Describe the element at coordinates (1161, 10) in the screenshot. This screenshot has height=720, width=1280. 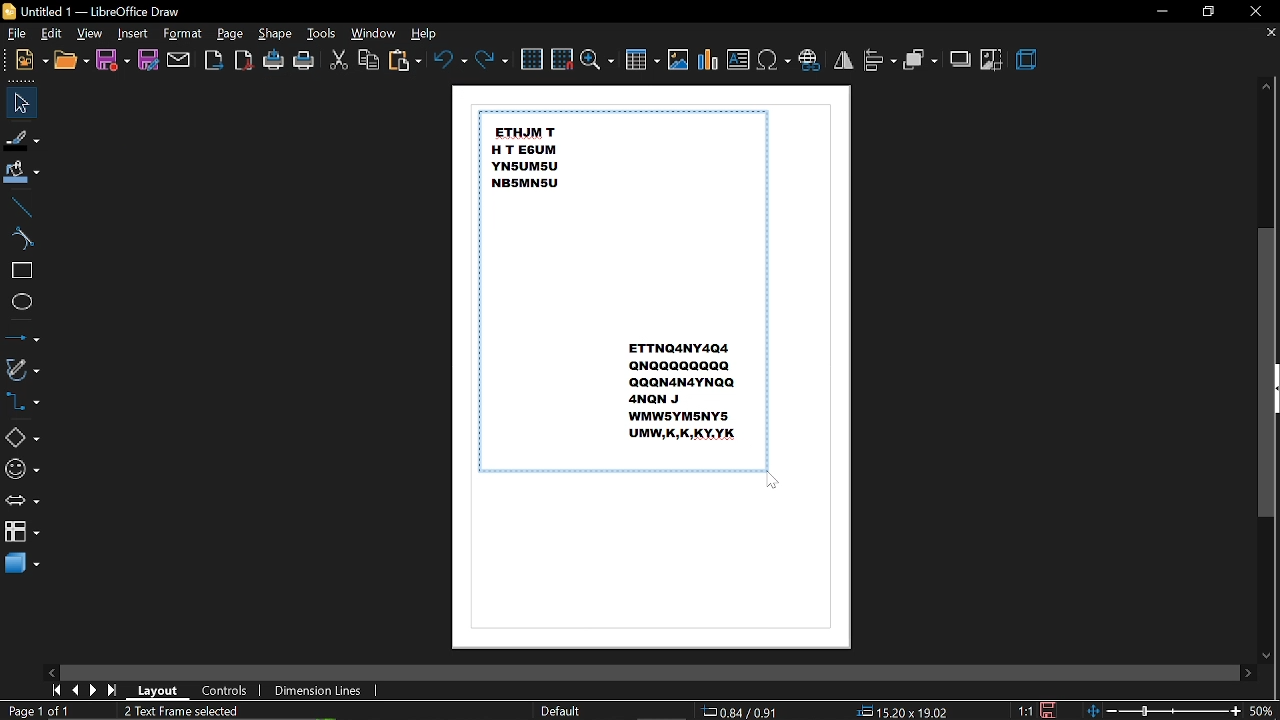
I see `minimize` at that location.